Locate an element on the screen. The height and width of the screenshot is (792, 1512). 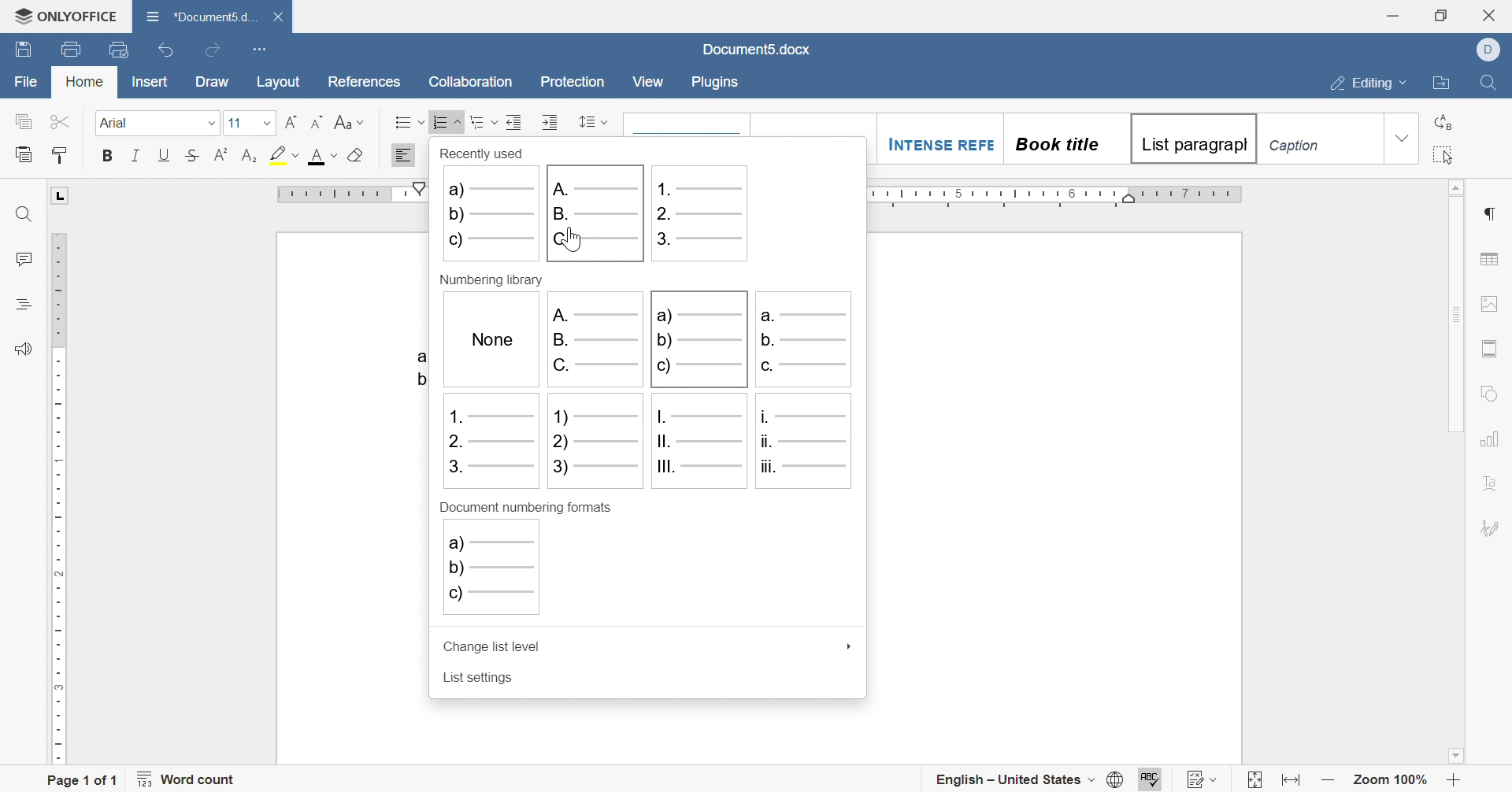
scroll bar is located at coordinates (1453, 305).